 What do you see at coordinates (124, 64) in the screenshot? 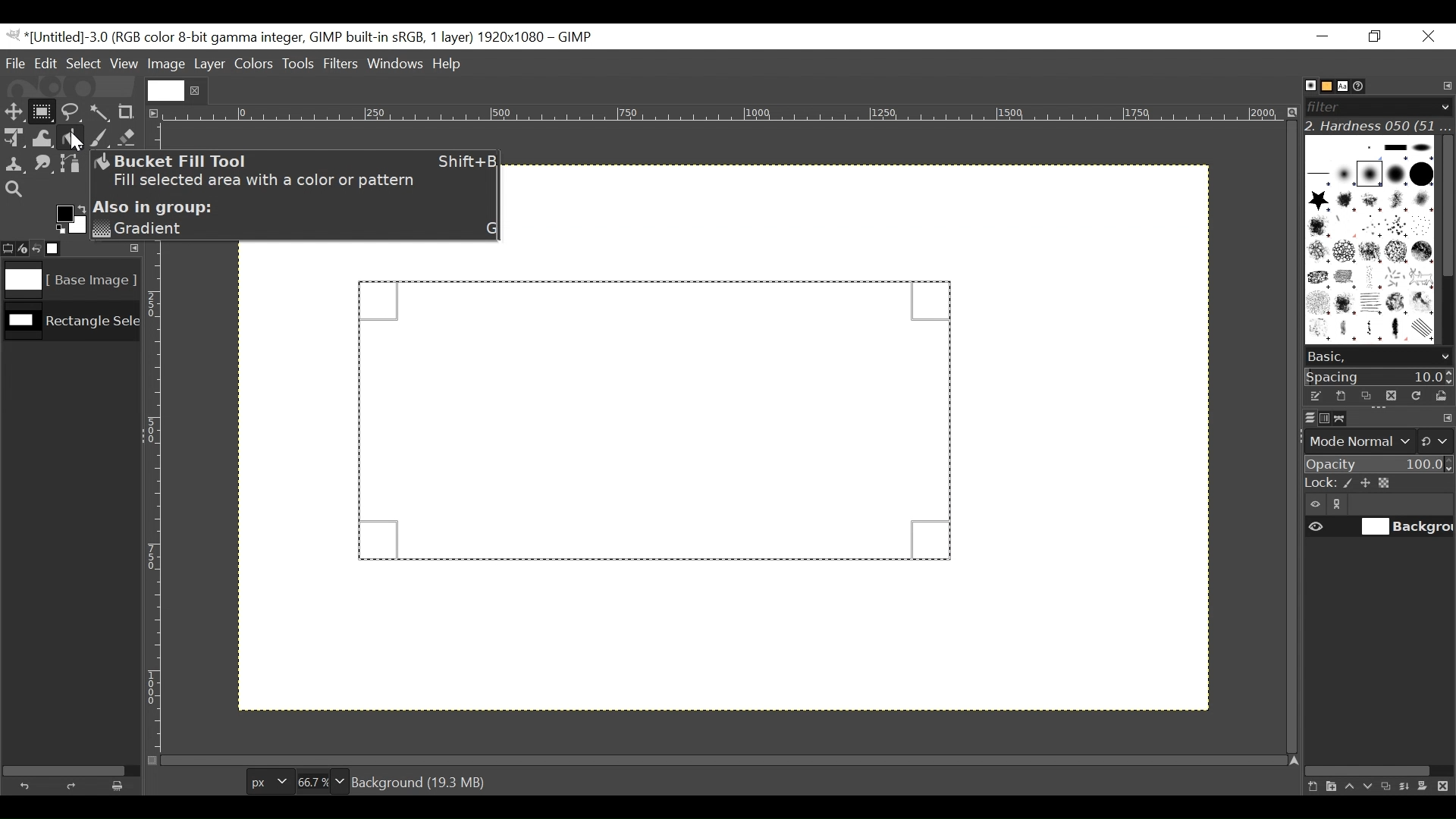
I see `View` at bounding box center [124, 64].